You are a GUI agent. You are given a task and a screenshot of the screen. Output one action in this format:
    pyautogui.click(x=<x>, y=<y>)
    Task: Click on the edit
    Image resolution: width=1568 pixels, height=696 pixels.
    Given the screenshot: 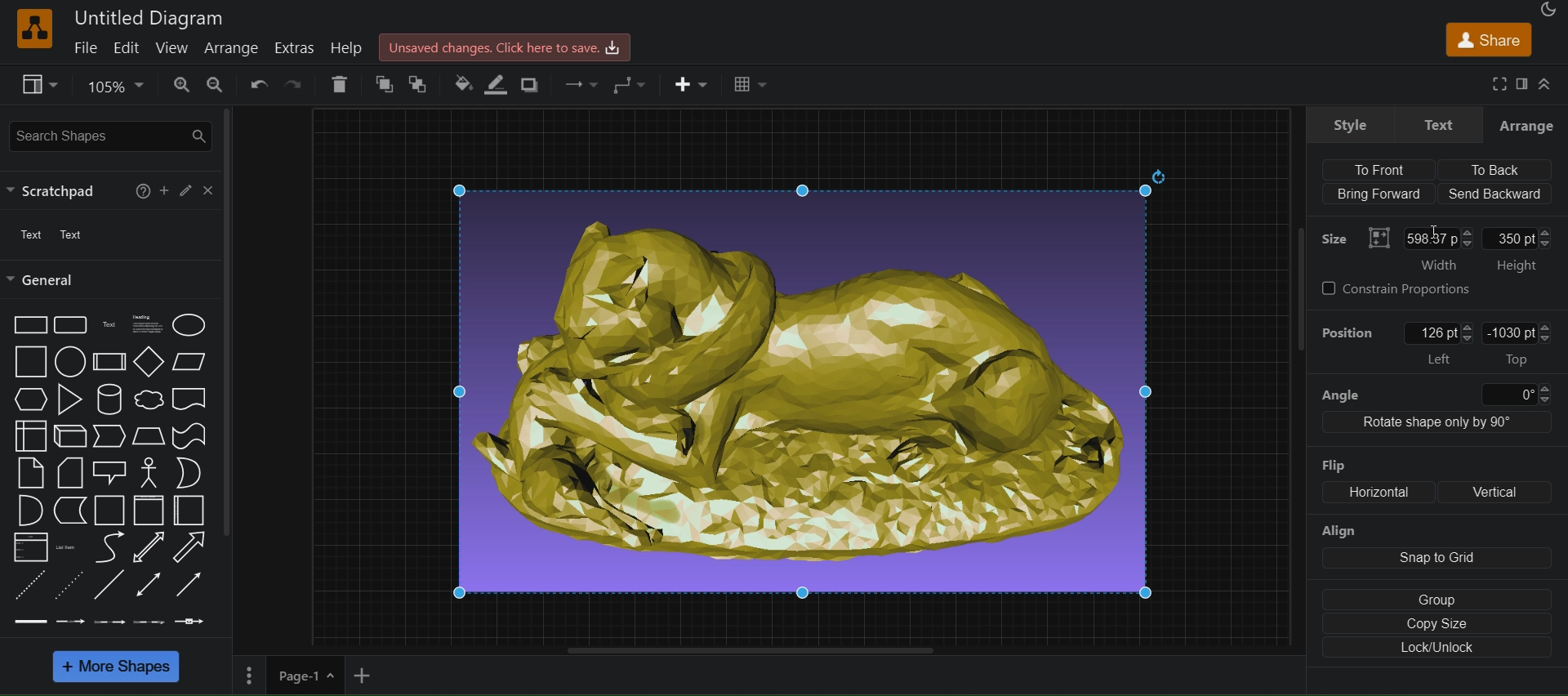 What is the action you would take?
    pyautogui.click(x=185, y=190)
    